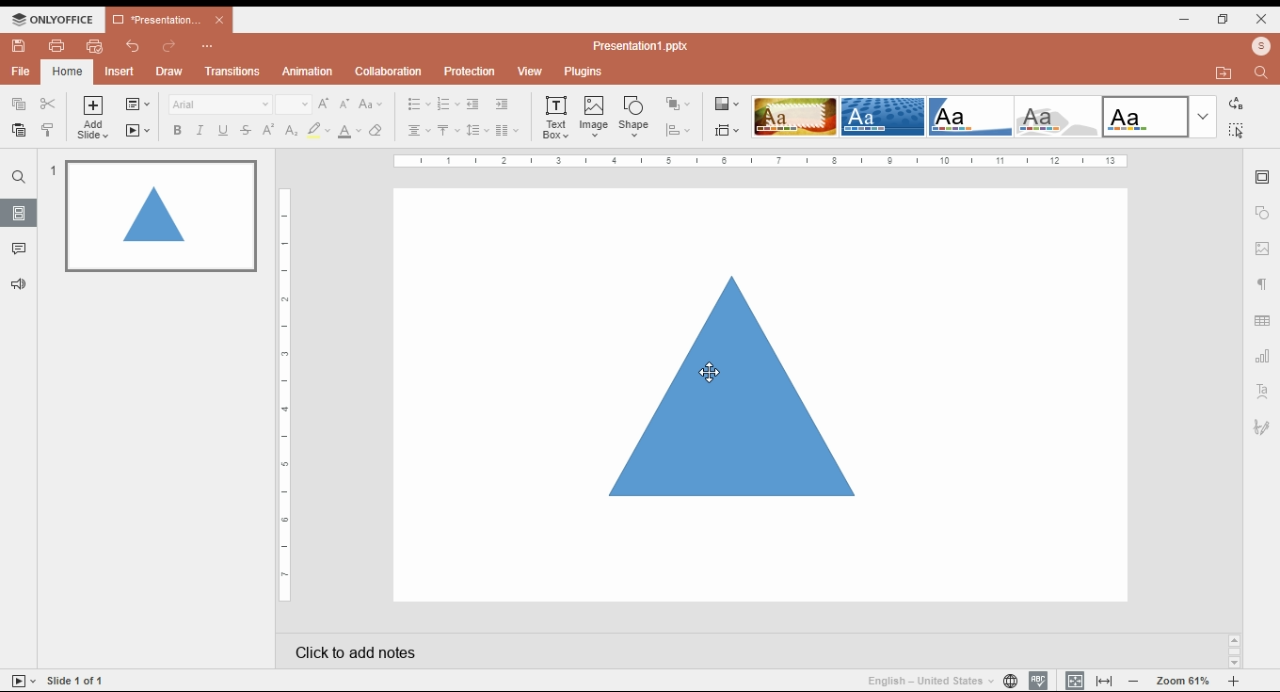  I want to click on change case, so click(372, 104).